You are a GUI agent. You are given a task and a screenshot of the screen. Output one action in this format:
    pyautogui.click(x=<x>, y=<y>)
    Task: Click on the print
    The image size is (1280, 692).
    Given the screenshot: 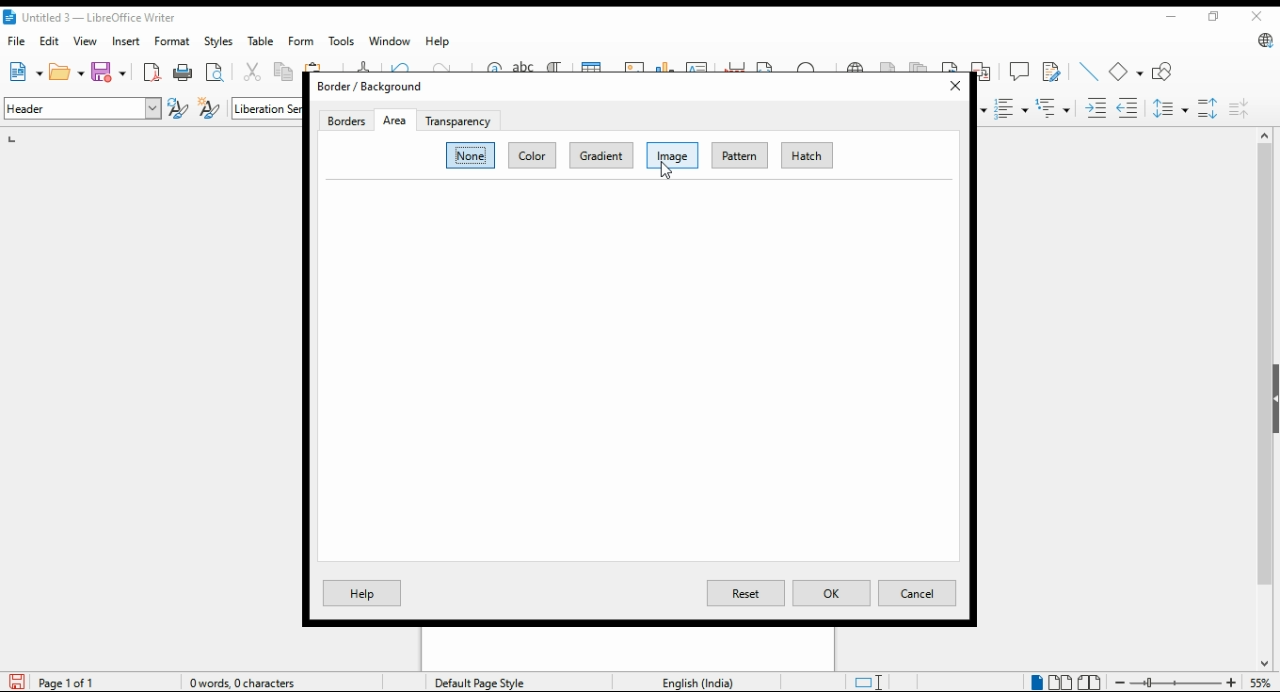 What is the action you would take?
    pyautogui.click(x=184, y=72)
    